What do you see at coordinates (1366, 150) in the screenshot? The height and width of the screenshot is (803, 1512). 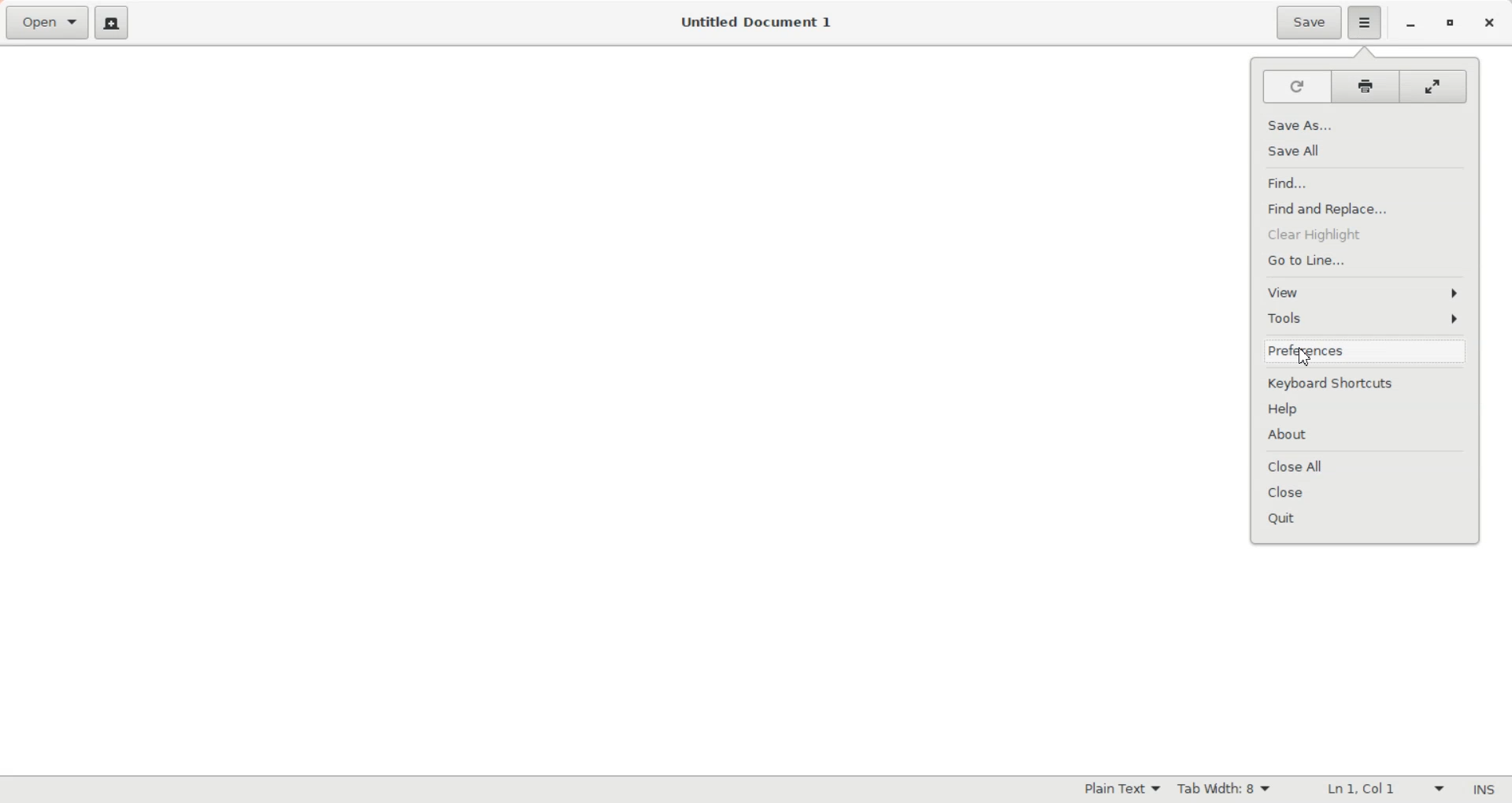 I see `Save All` at bounding box center [1366, 150].